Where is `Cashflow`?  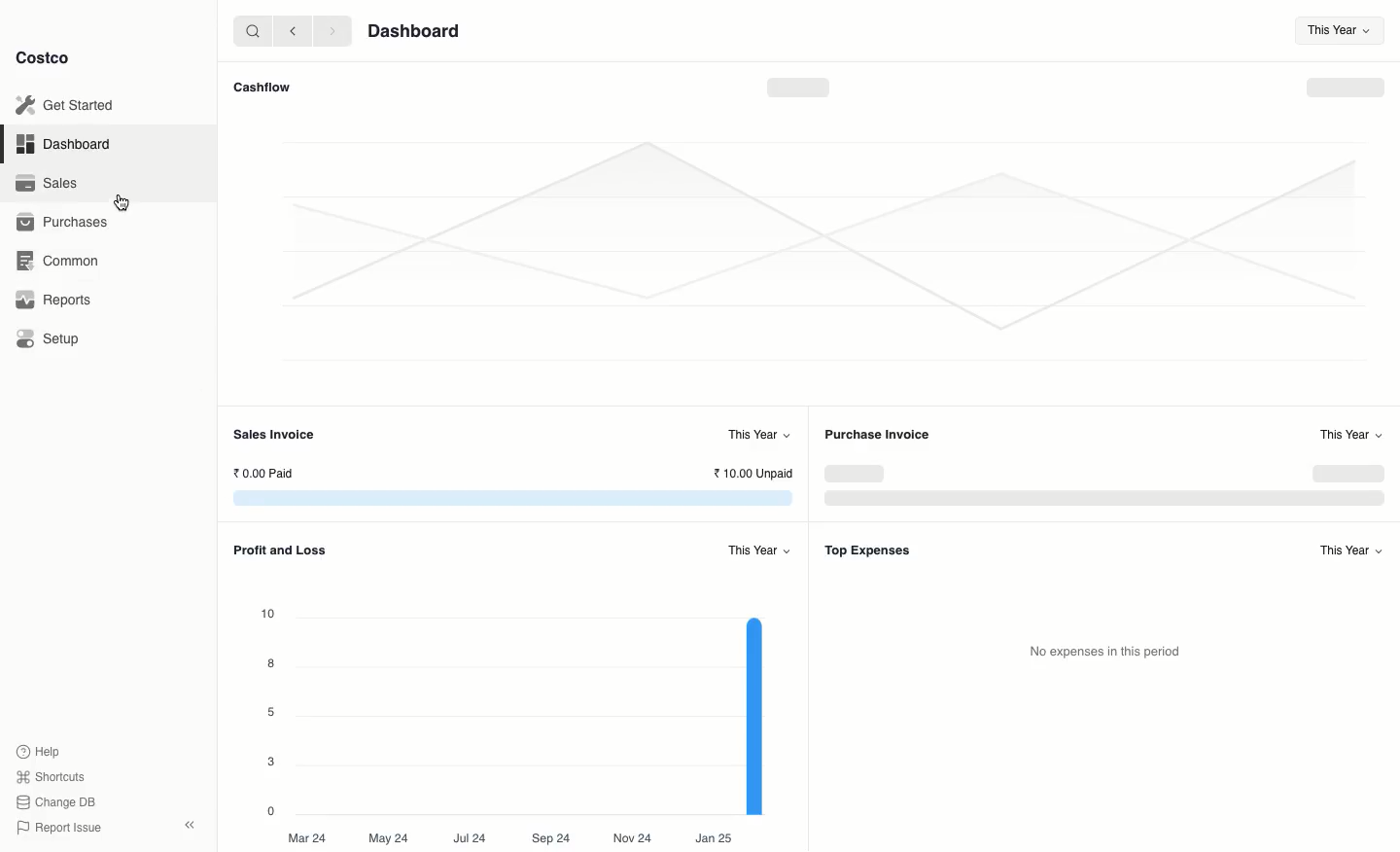
Cashflow is located at coordinates (262, 88).